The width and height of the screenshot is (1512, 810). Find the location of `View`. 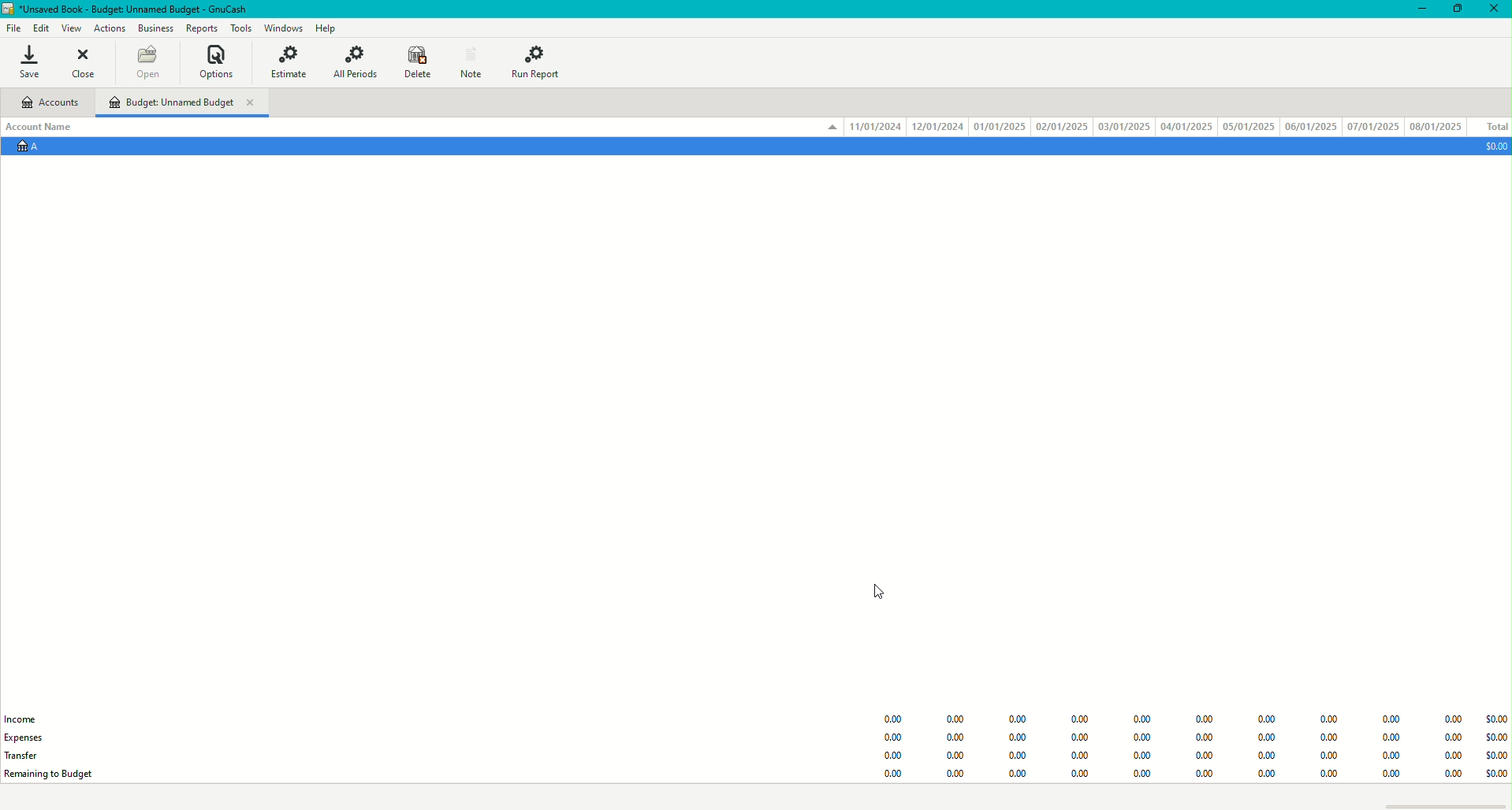

View is located at coordinates (70, 29).